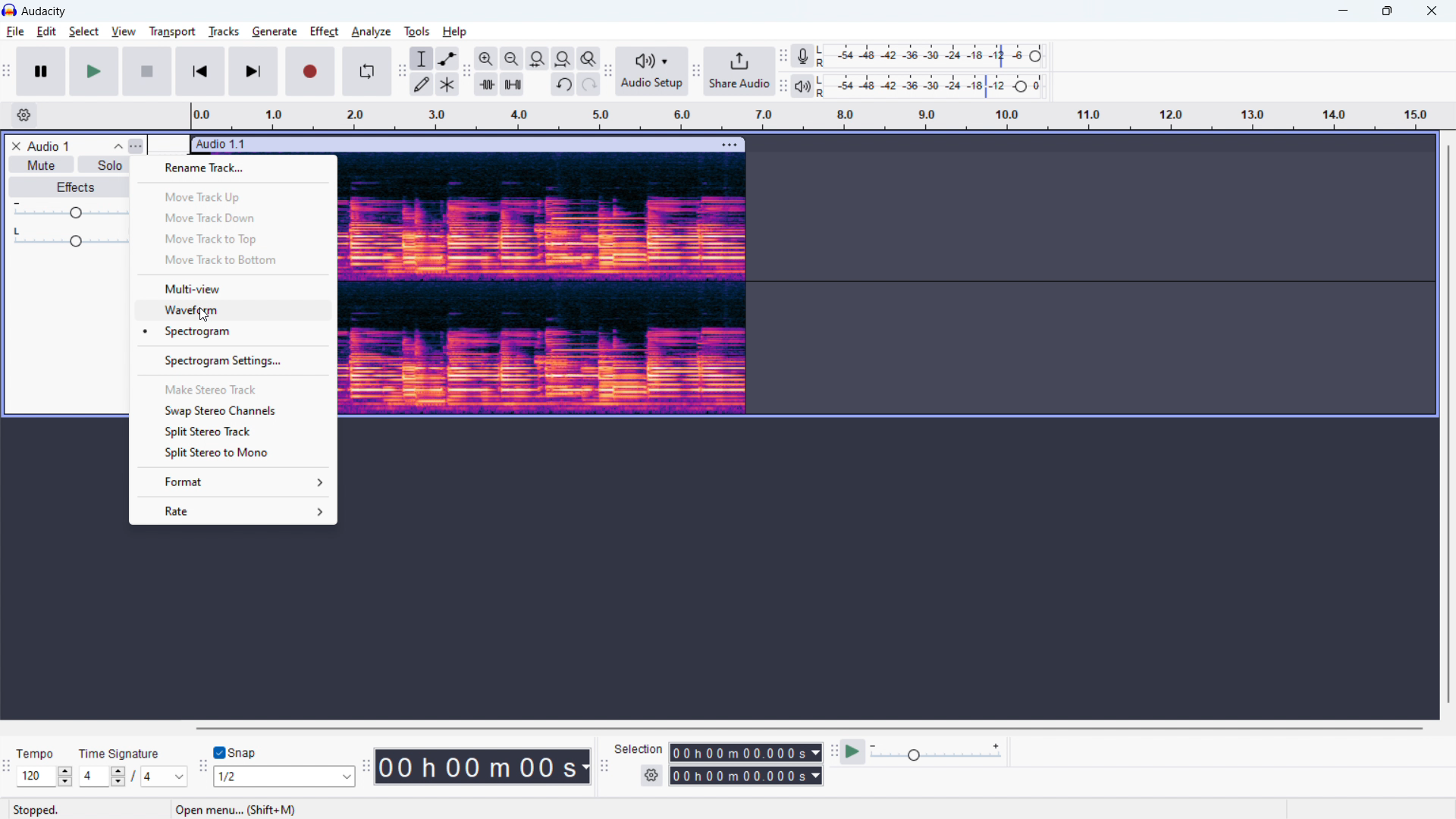  Describe the element at coordinates (234, 360) in the screenshot. I see `spectogram settings` at that location.